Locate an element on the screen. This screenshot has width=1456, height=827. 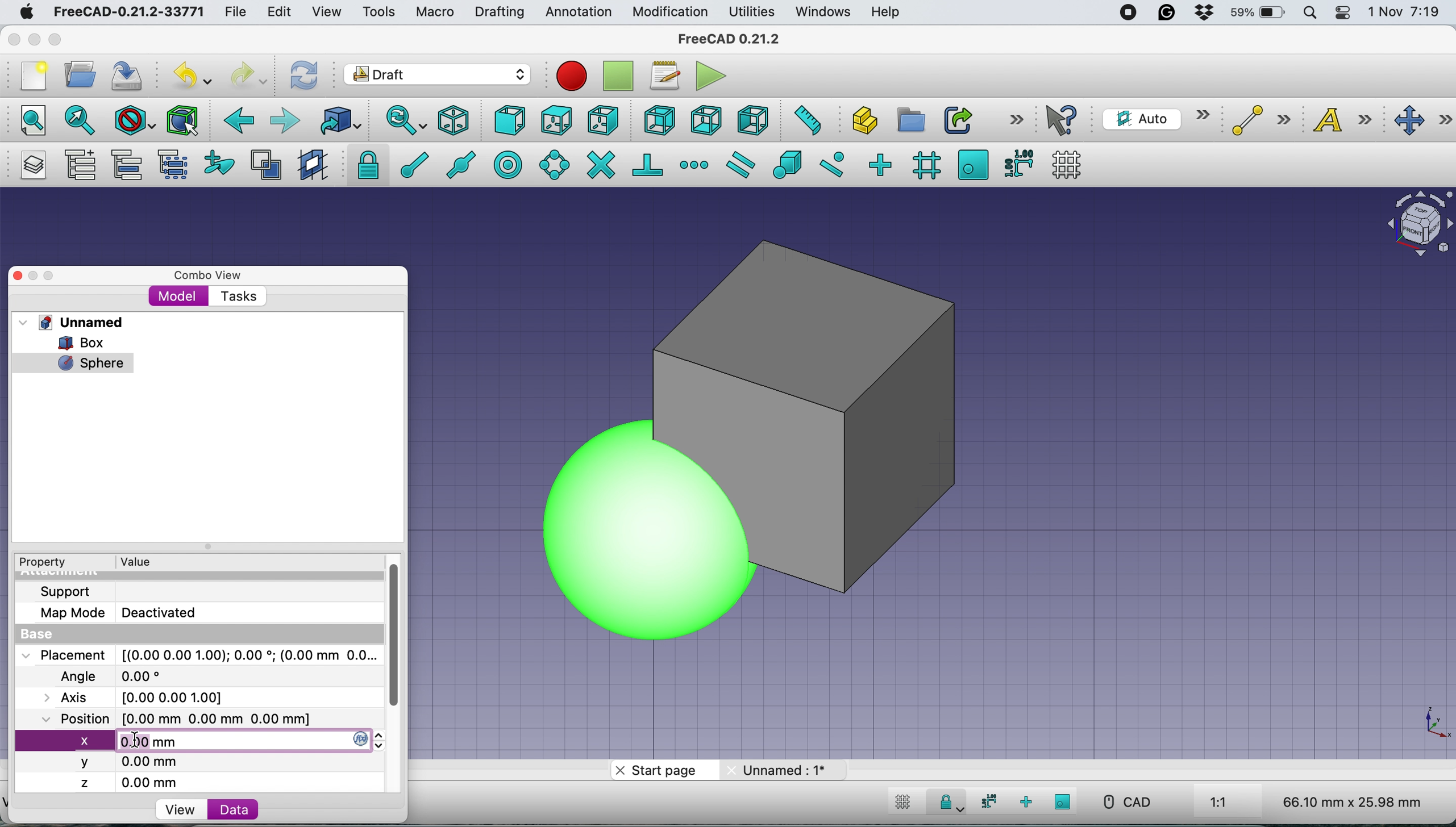
battery is located at coordinates (1254, 14).